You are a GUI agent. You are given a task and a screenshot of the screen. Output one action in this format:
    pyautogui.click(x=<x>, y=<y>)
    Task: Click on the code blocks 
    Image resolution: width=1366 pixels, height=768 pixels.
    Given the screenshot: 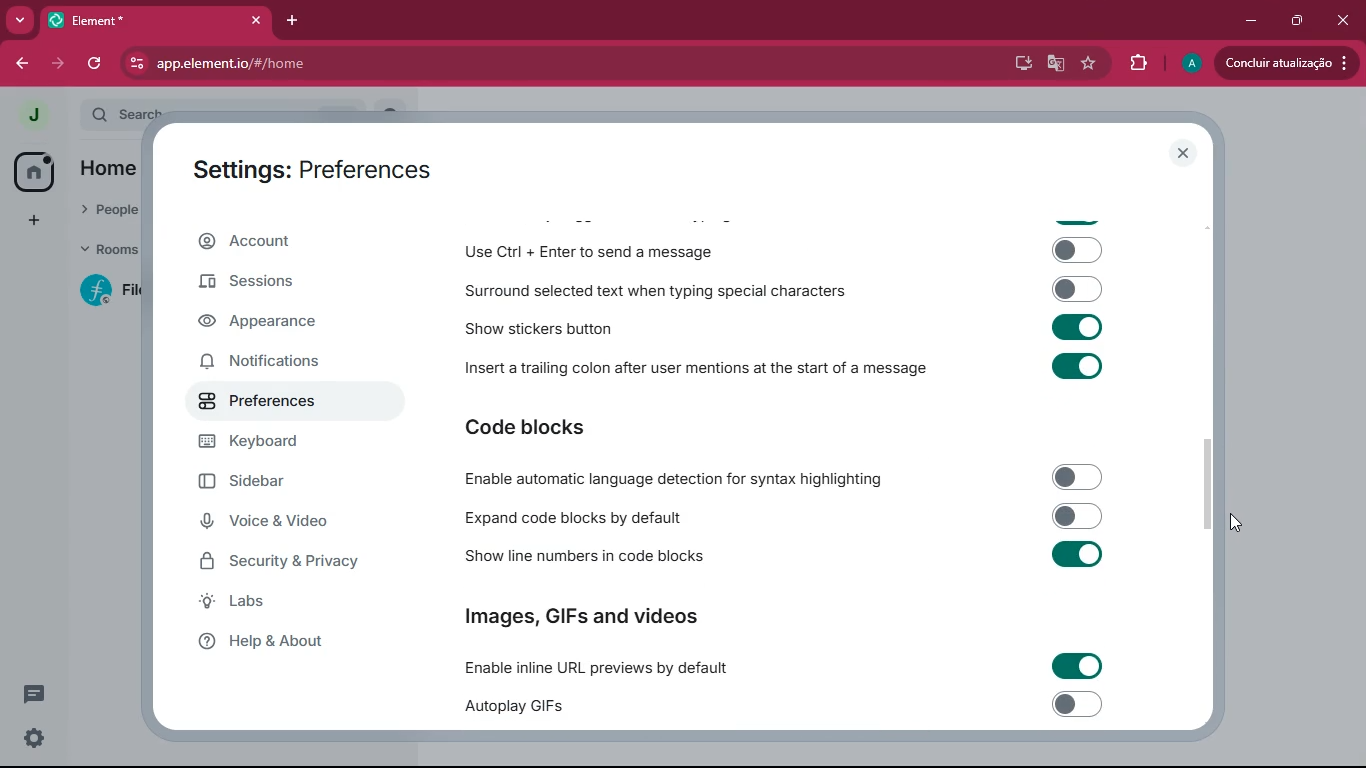 What is the action you would take?
    pyautogui.click(x=539, y=429)
    